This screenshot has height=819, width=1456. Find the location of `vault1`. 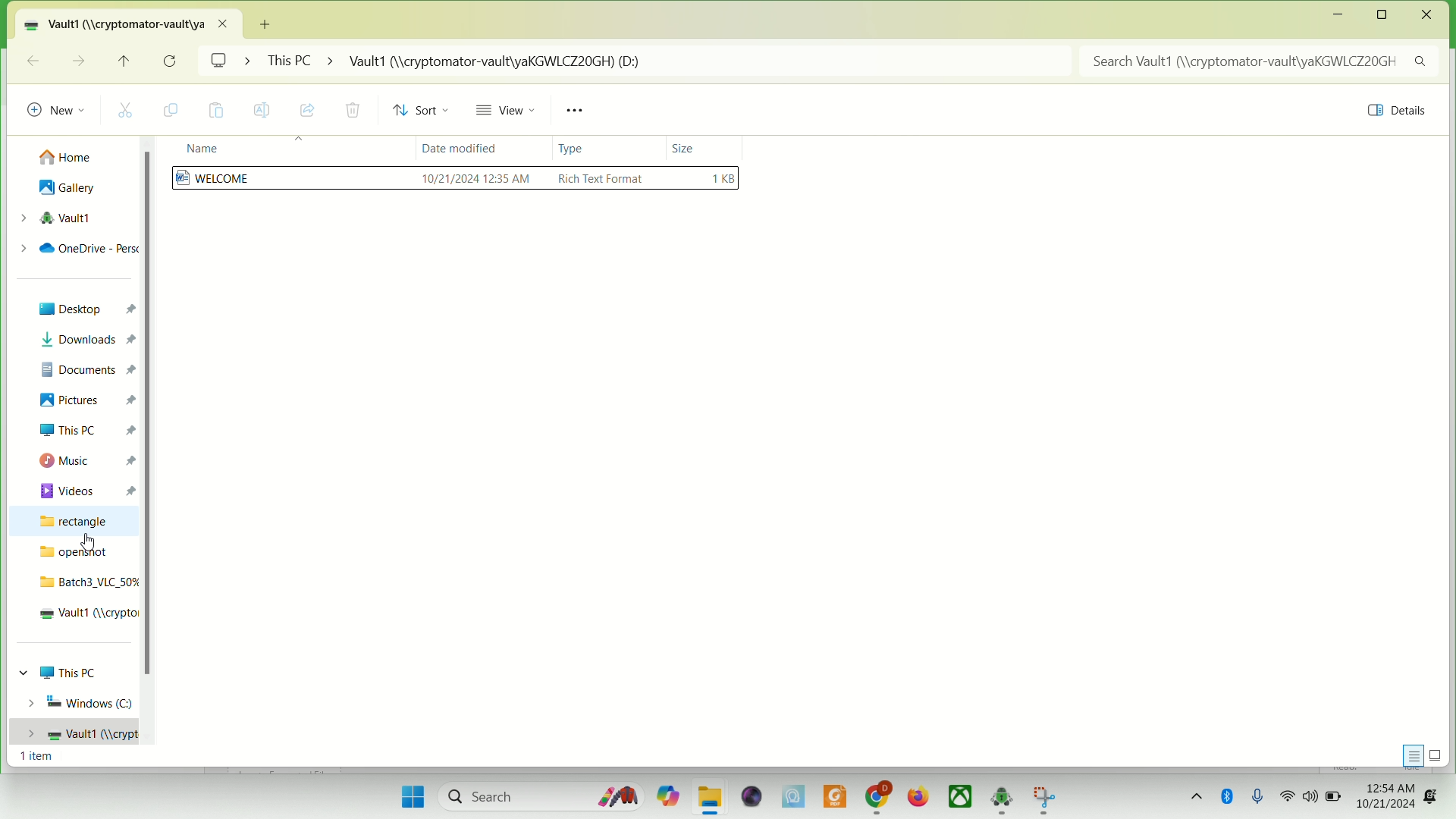

vault1 is located at coordinates (54, 218).